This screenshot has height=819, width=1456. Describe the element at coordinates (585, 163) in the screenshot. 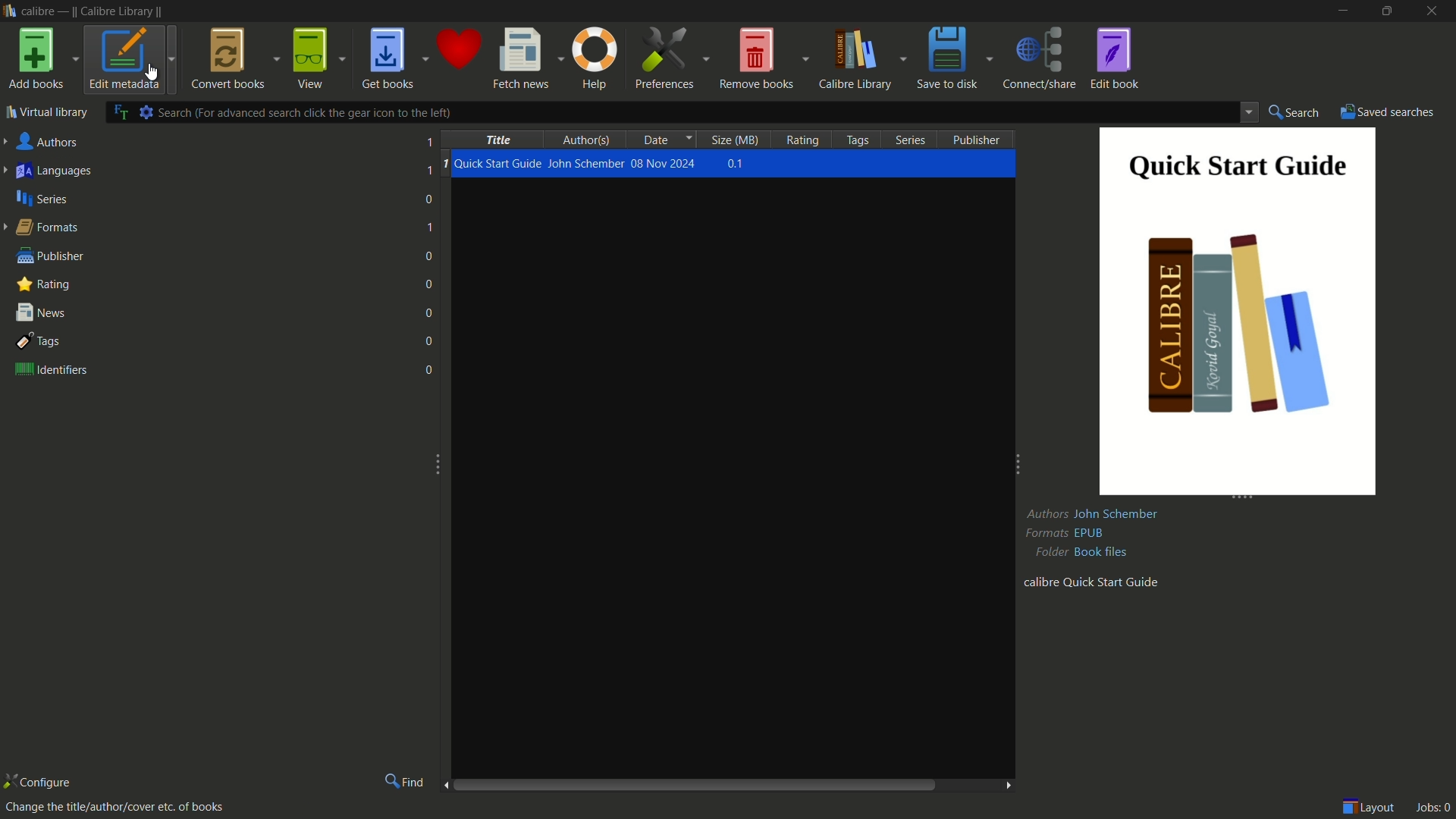

I see `John Schember` at that location.